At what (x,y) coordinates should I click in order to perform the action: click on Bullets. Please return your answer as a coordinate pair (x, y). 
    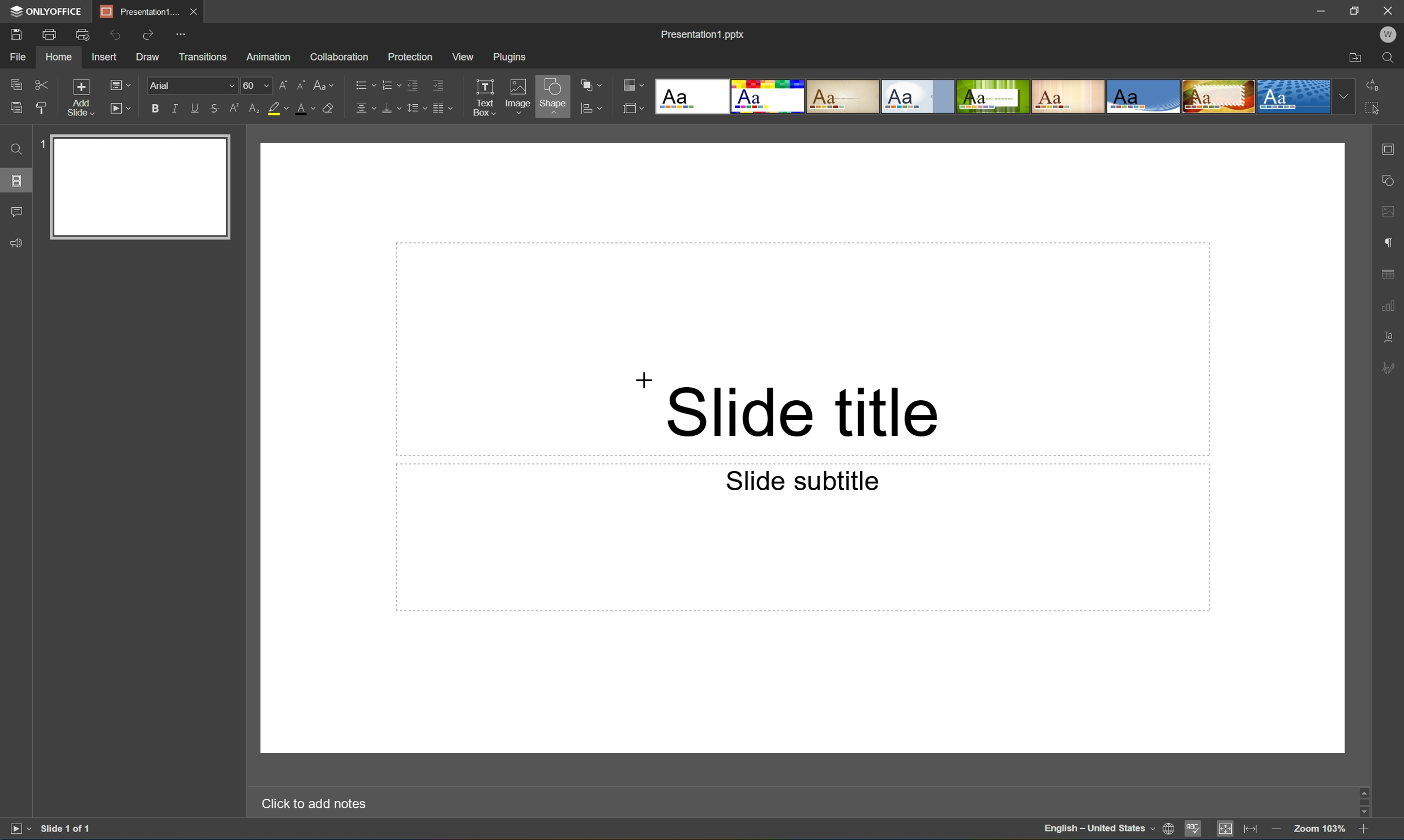
    Looking at the image, I should click on (362, 84).